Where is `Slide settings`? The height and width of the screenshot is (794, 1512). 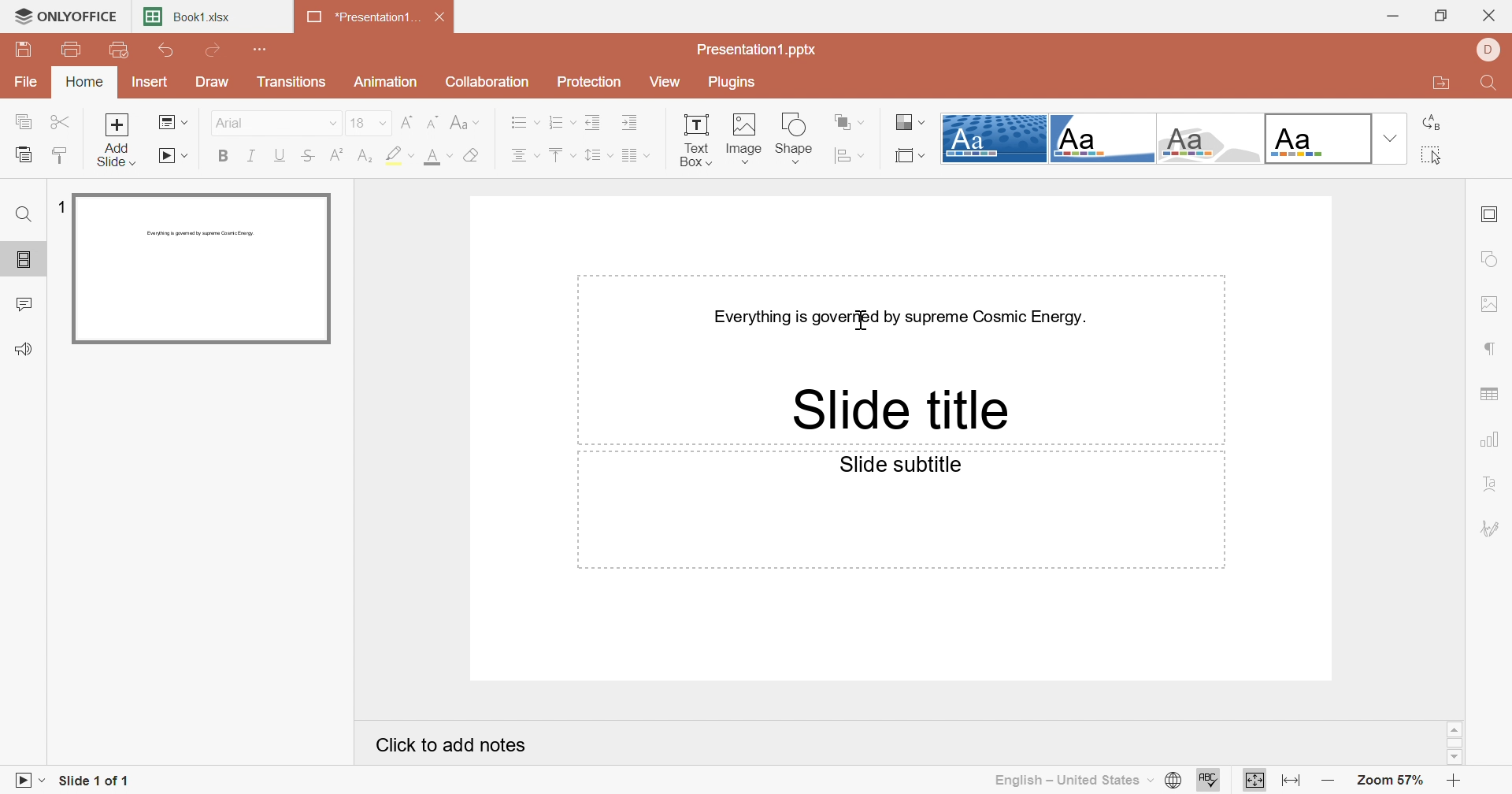 Slide settings is located at coordinates (1492, 213).